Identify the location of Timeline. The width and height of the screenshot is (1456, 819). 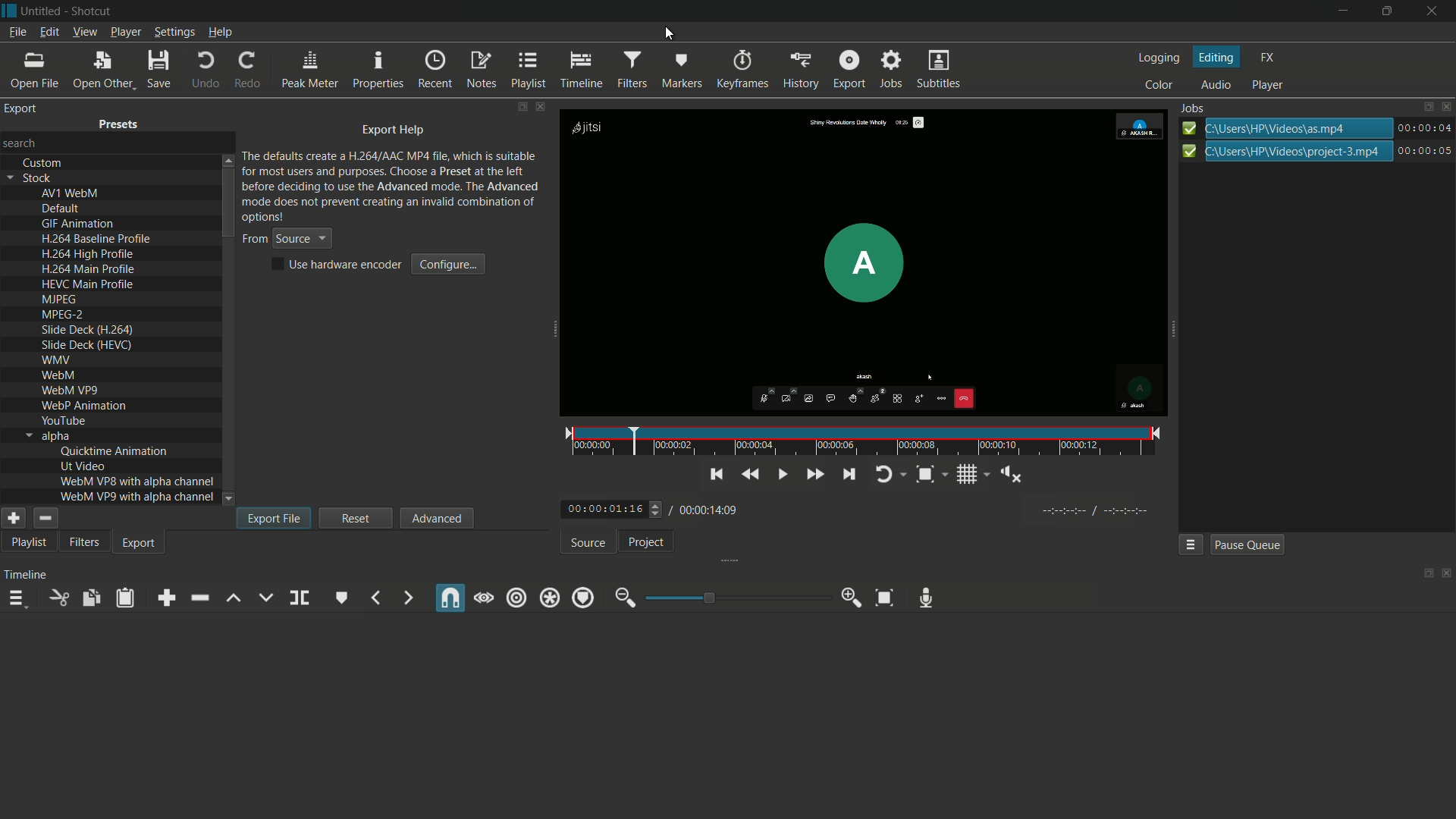
(29, 573).